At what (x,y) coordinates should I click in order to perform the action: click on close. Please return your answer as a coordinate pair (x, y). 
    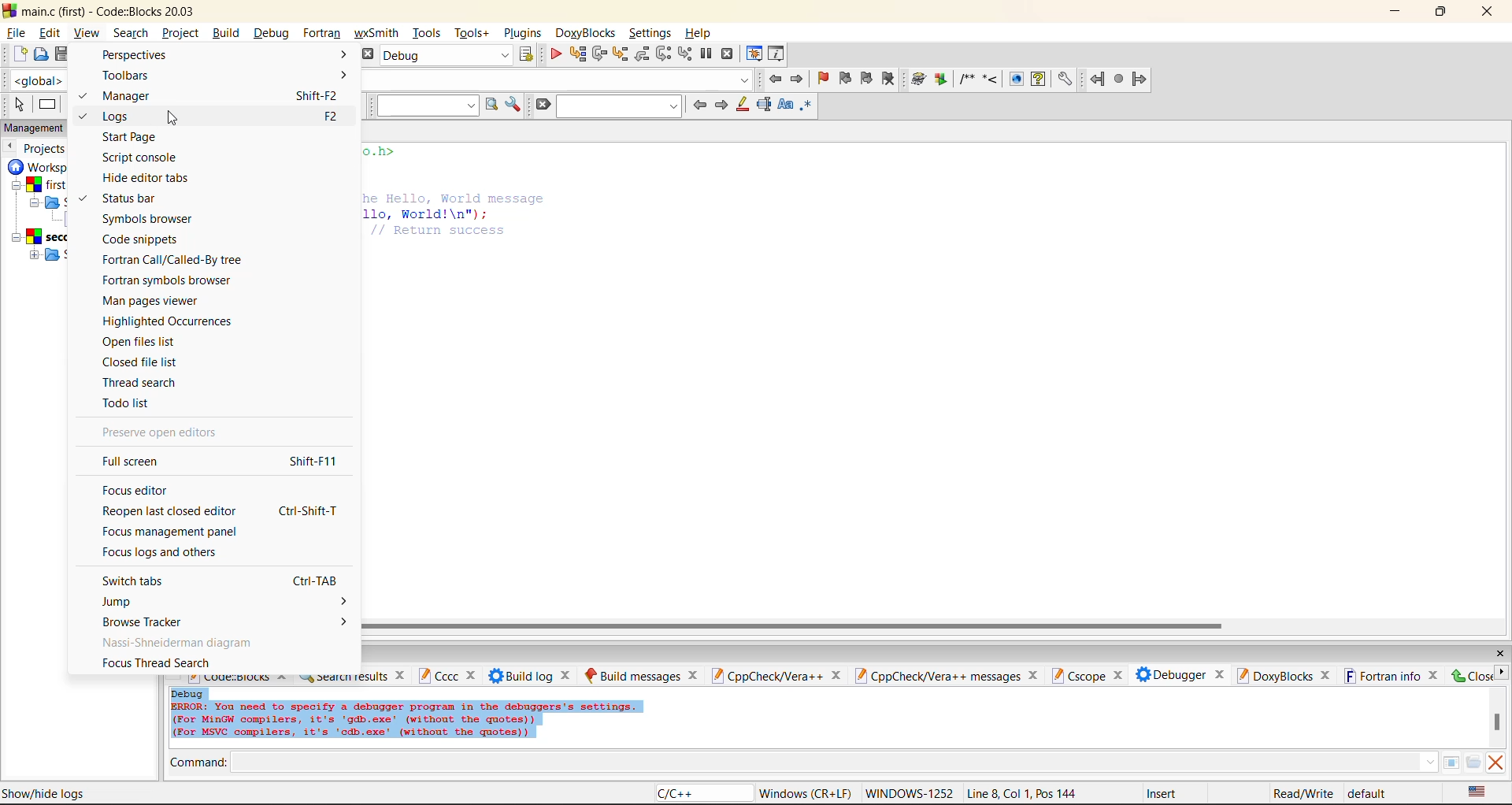
    Looking at the image, I should click on (1471, 675).